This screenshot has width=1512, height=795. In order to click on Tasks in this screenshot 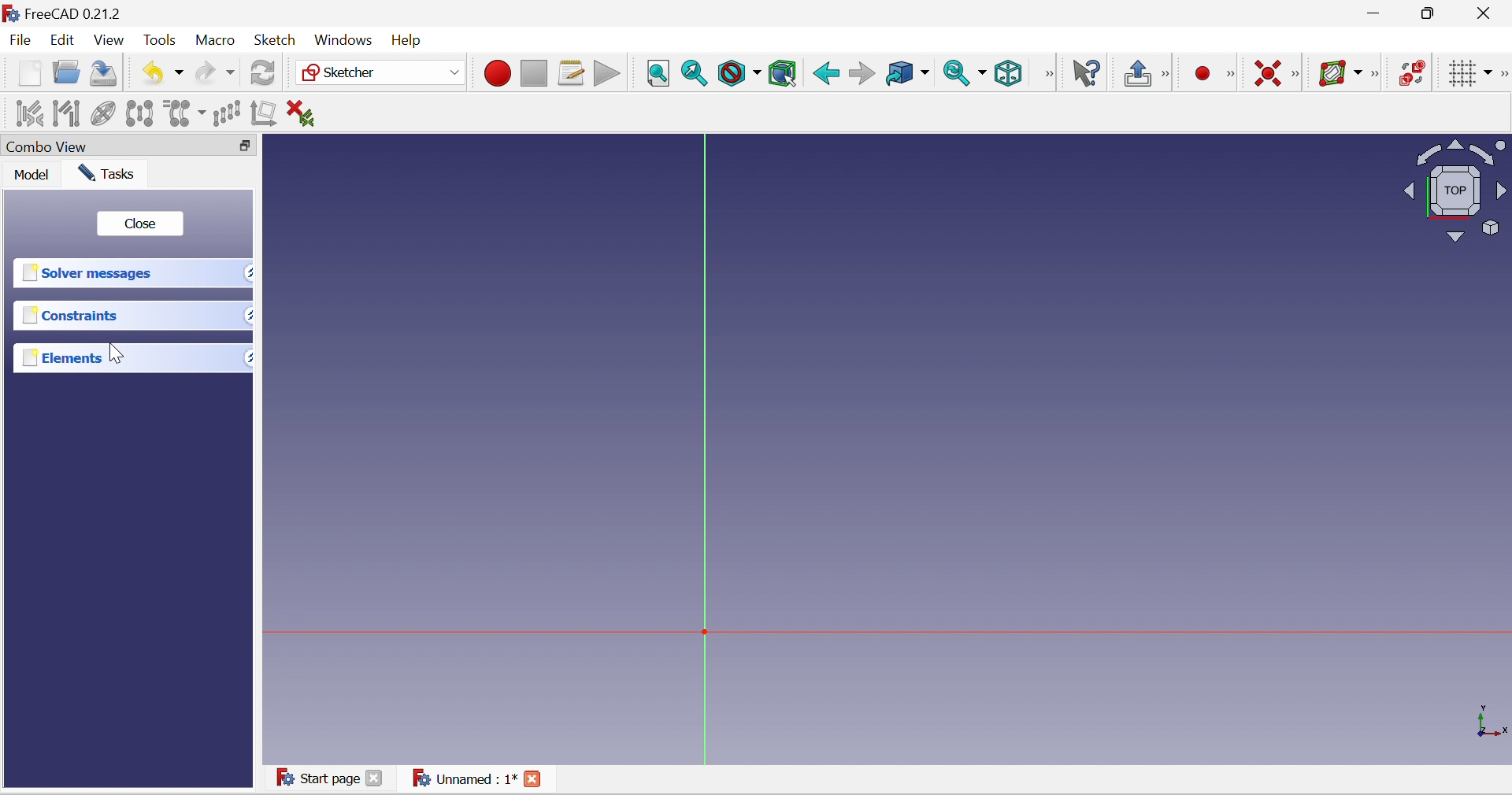, I will do `click(107, 173)`.